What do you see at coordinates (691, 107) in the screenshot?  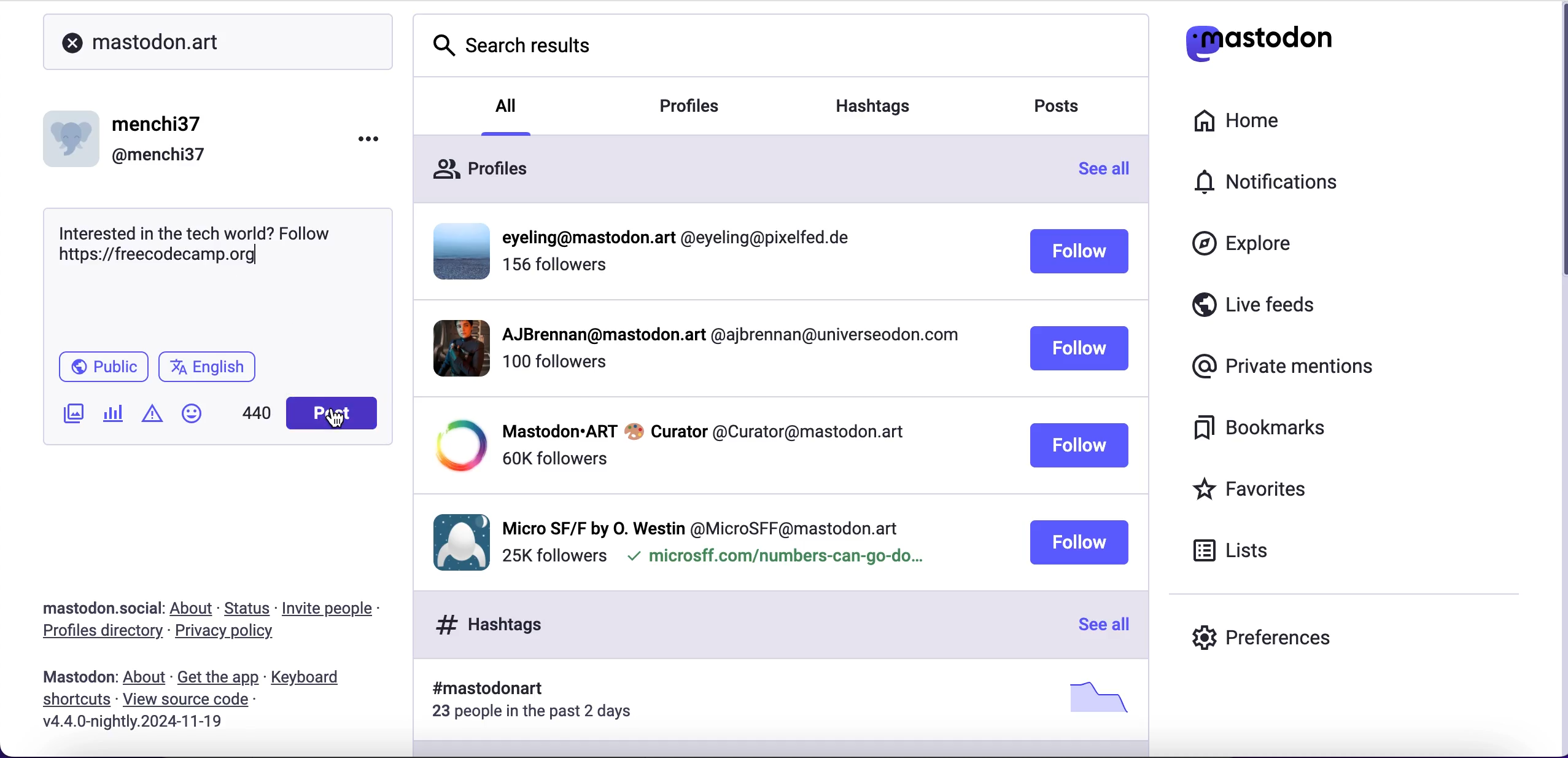 I see `profiles` at bounding box center [691, 107].